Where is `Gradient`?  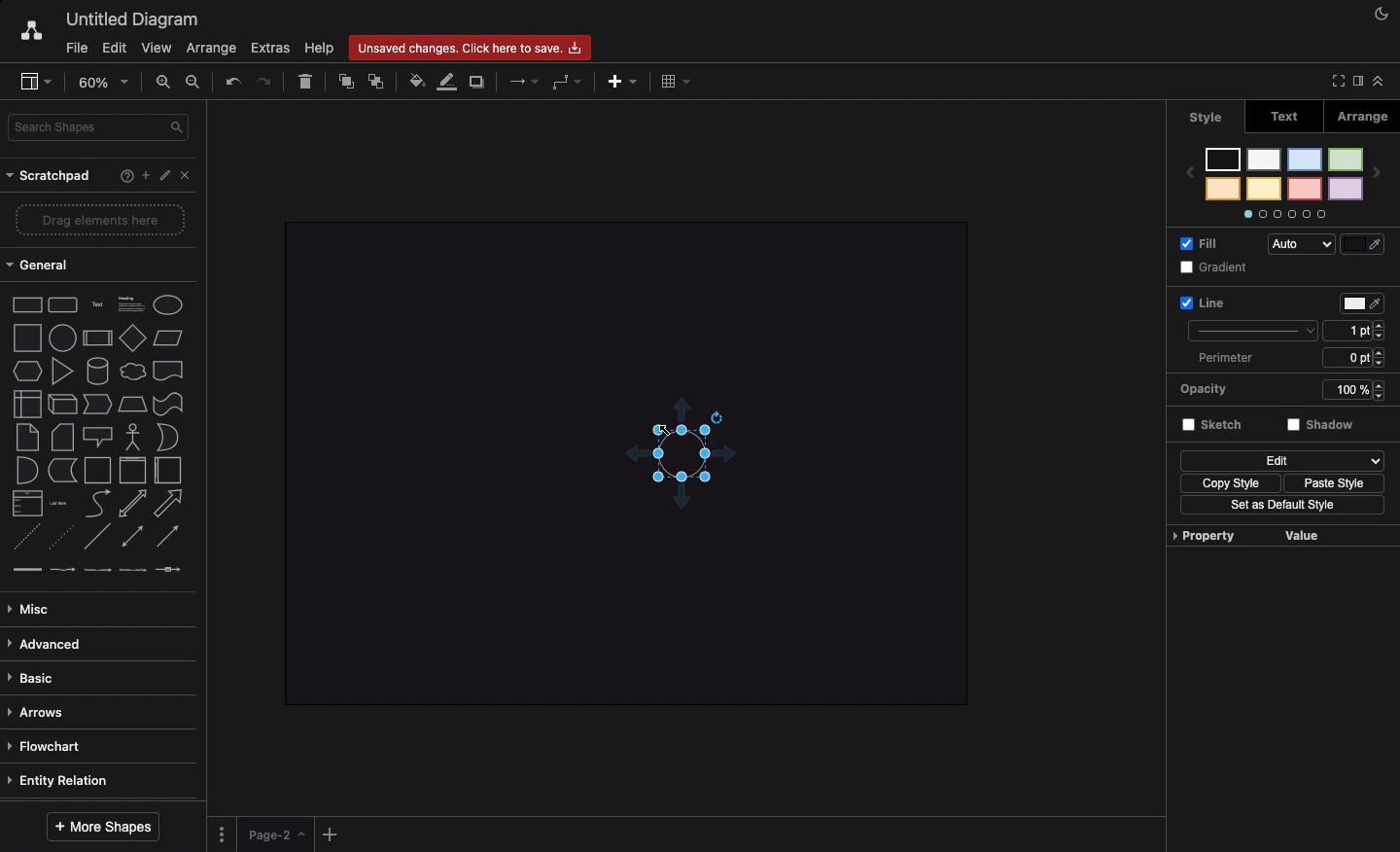
Gradient is located at coordinates (1225, 266).